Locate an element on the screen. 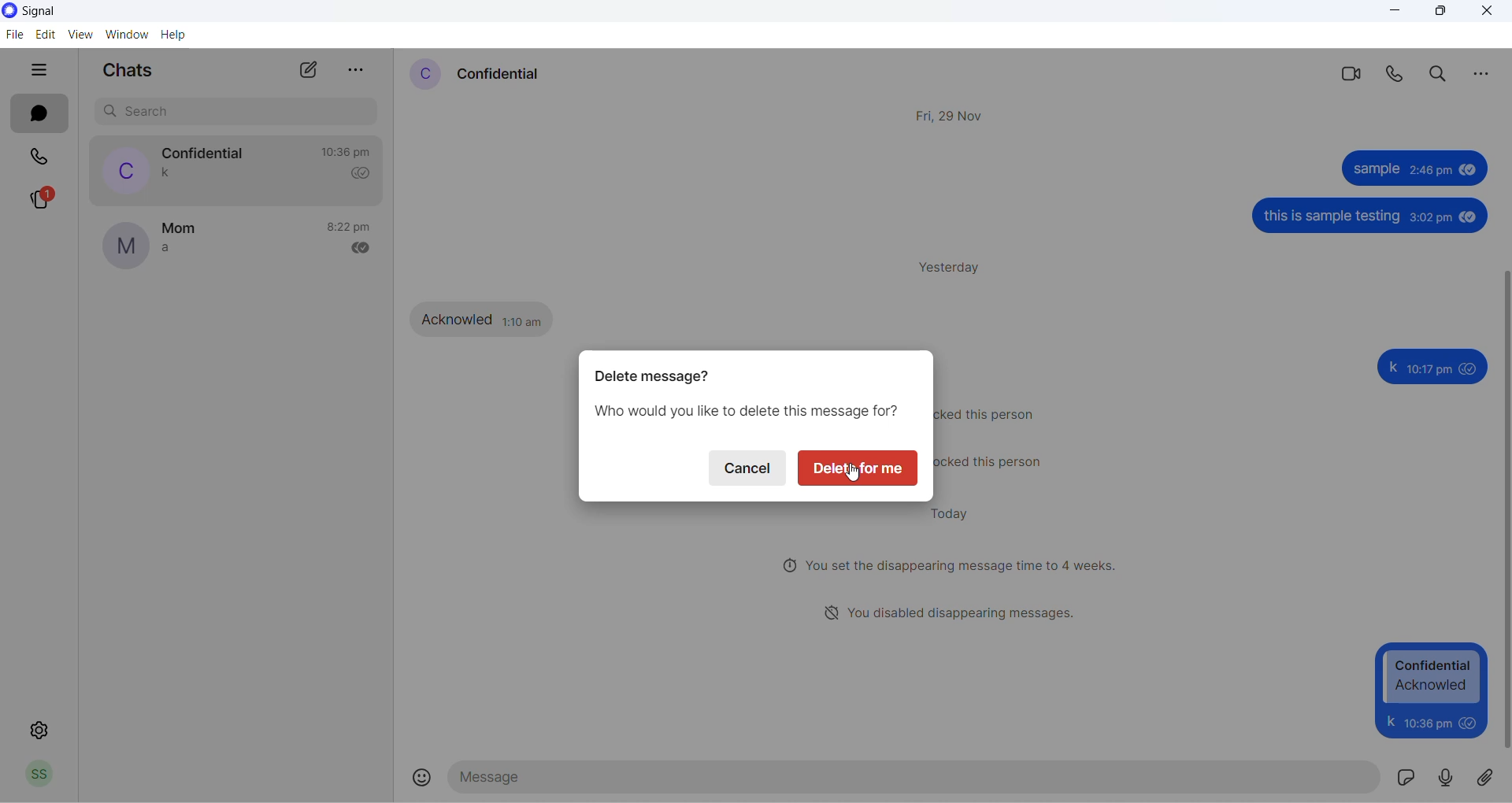  message text area is located at coordinates (918, 775).